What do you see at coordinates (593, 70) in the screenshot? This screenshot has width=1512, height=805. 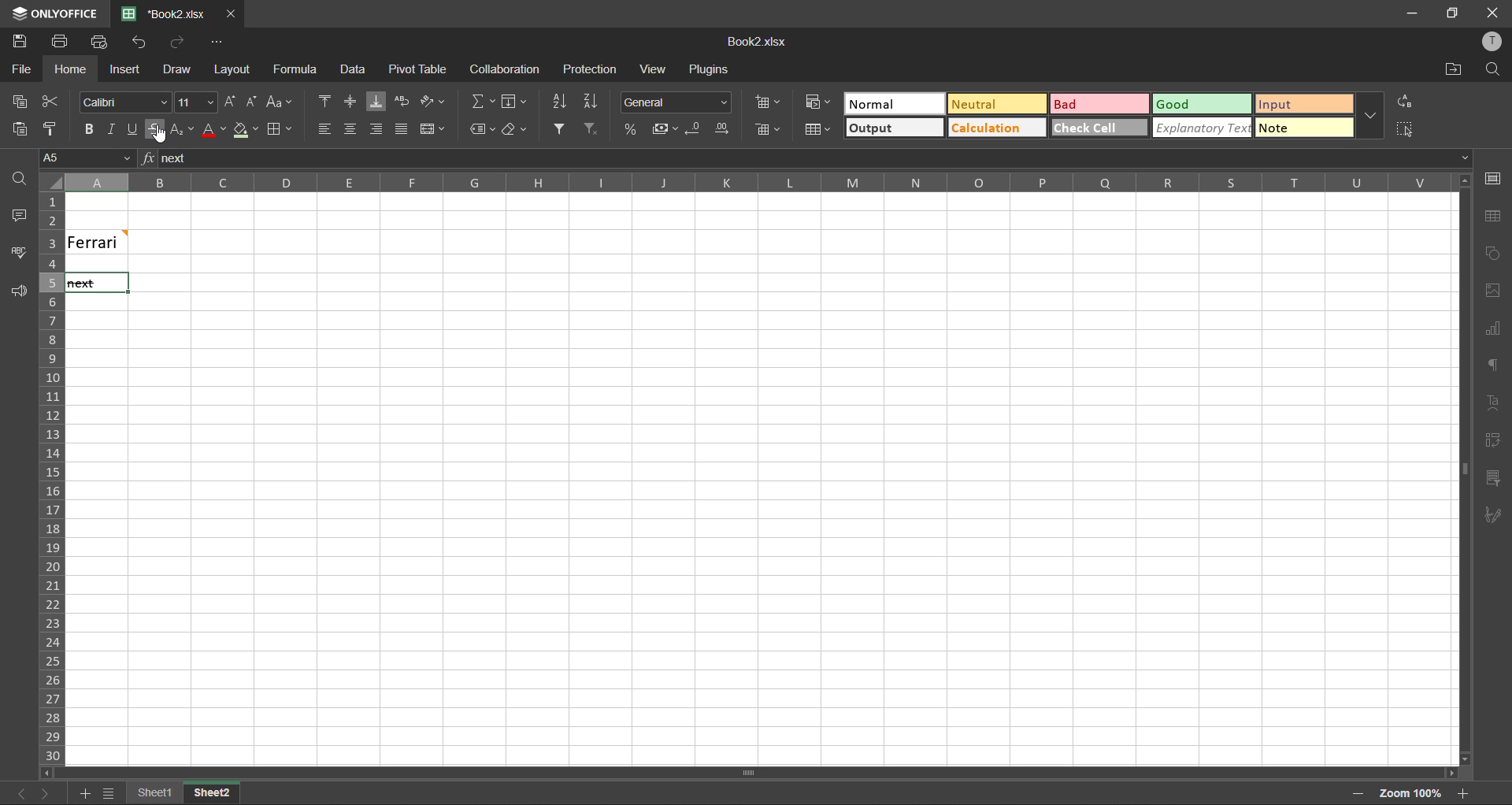 I see `protection` at bounding box center [593, 70].